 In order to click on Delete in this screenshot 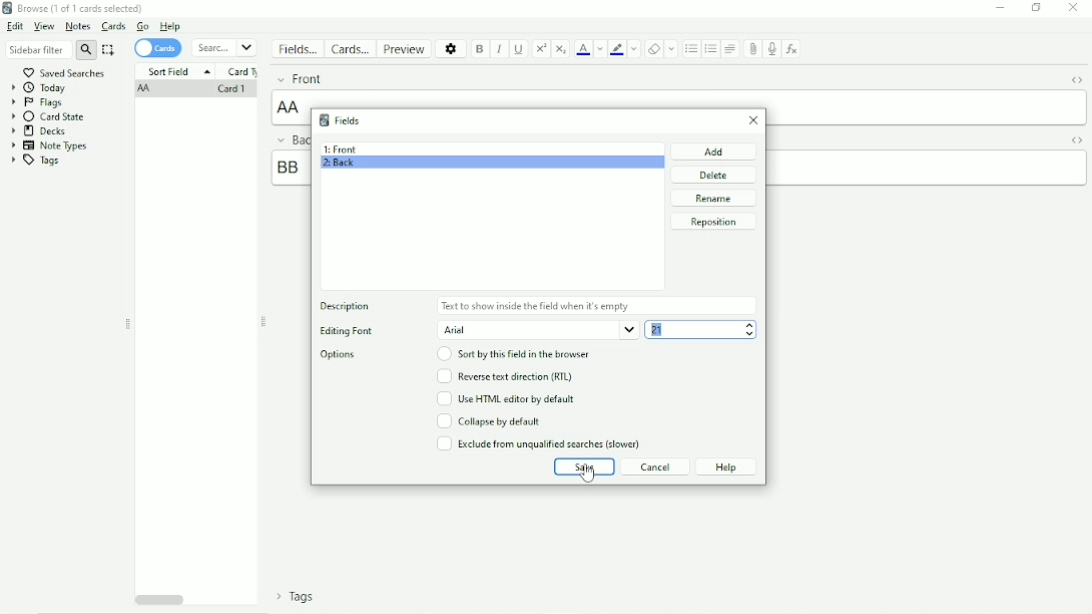, I will do `click(715, 175)`.